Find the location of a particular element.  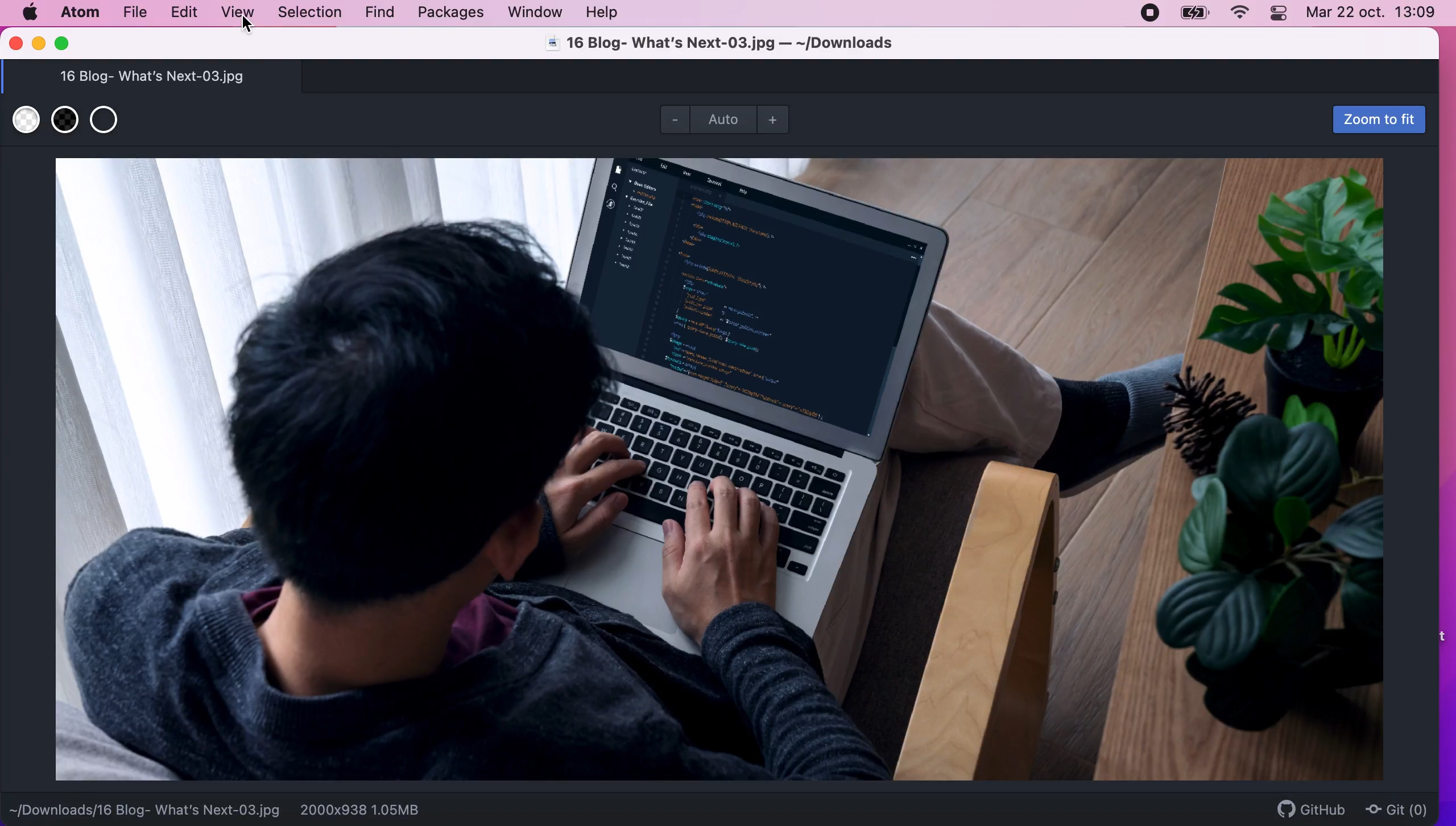

minimize is located at coordinates (39, 43).